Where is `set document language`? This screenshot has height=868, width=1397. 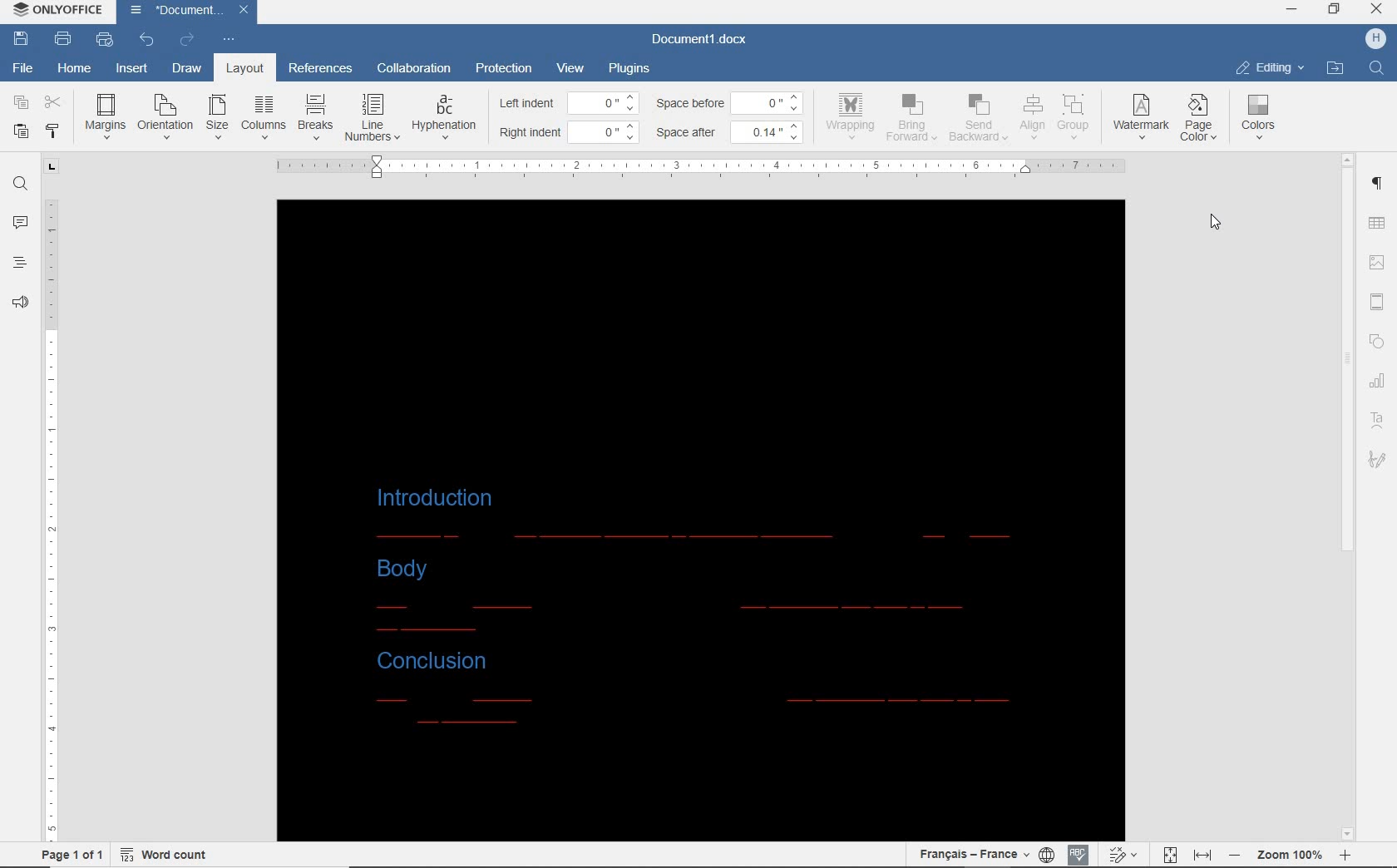
set document language is located at coordinates (1045, 851).